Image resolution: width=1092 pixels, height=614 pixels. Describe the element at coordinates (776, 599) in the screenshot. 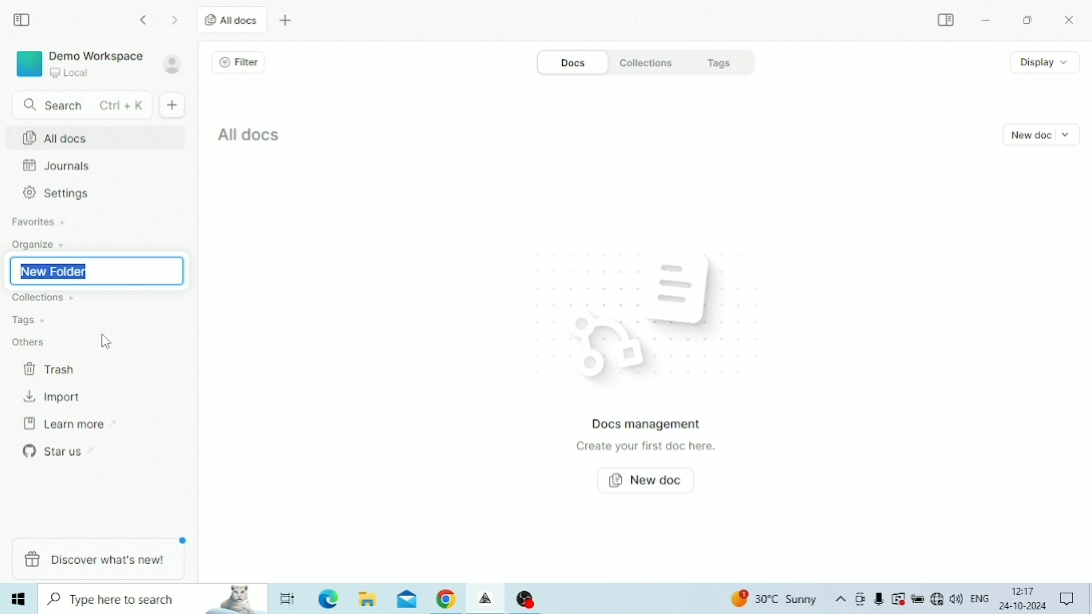

I see `Temperature` at that location.